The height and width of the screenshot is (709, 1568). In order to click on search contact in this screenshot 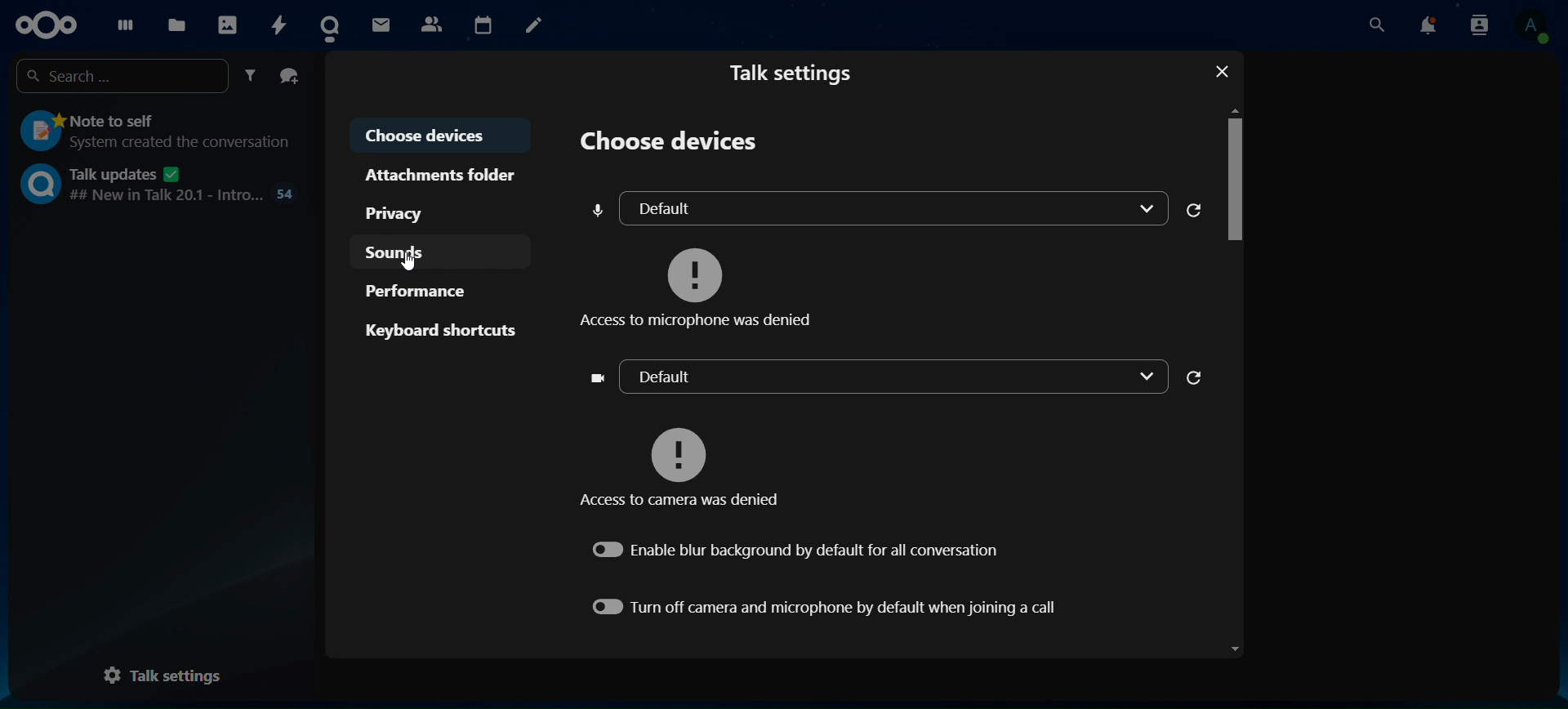, I will do `click(1480, 25)`.